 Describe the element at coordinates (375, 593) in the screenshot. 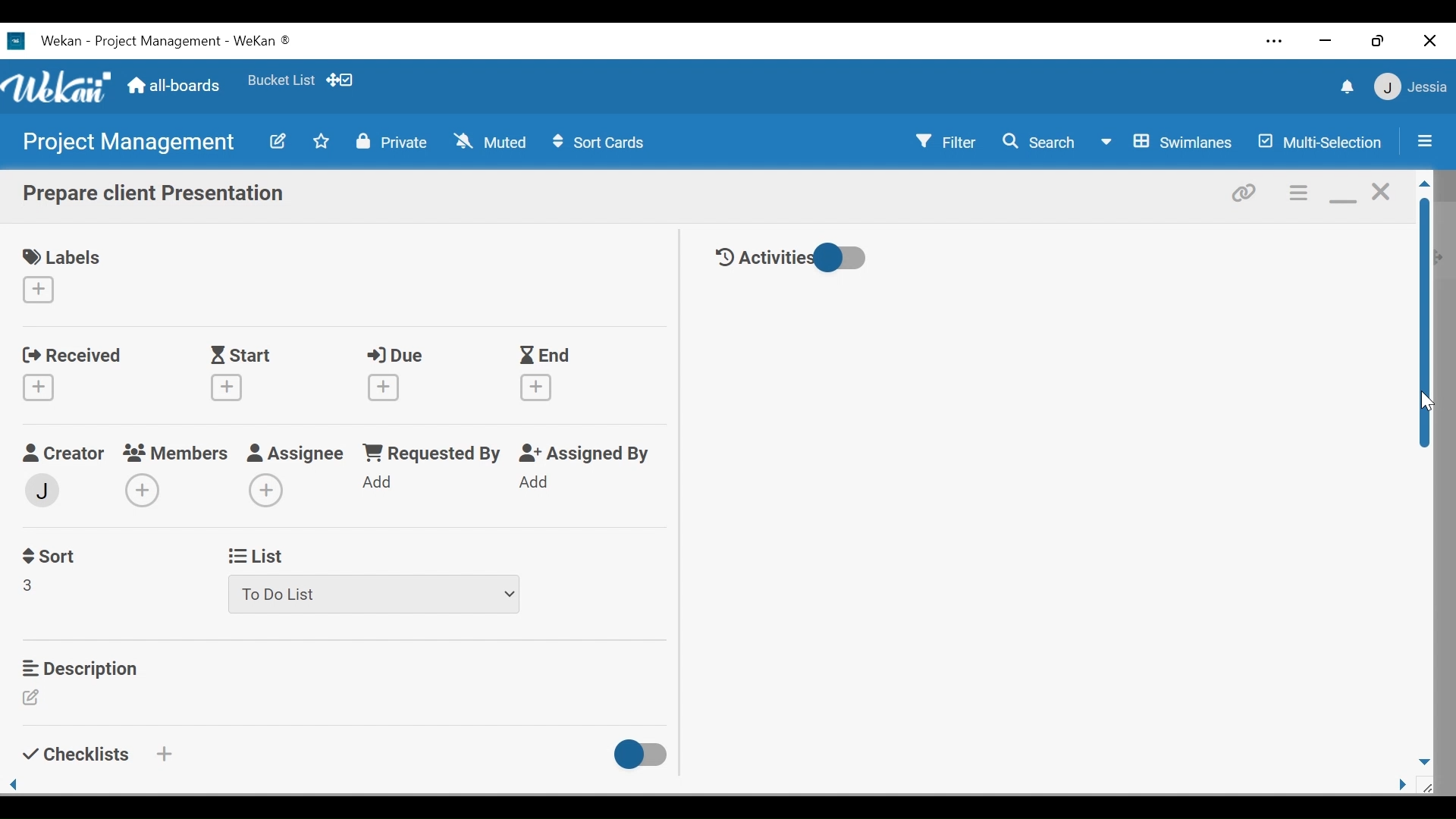

I see `List dropdown menu` at that location.